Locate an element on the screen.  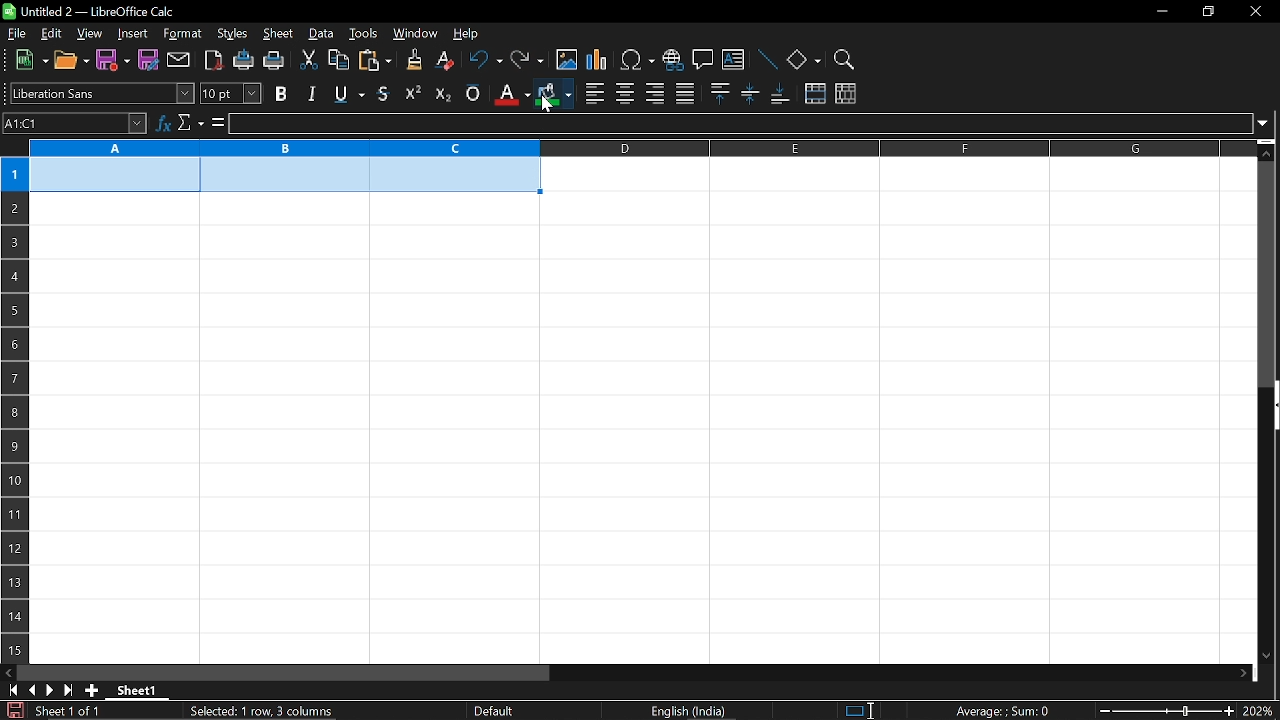
vertical scrollbar is located at coordinates (1268, 274).